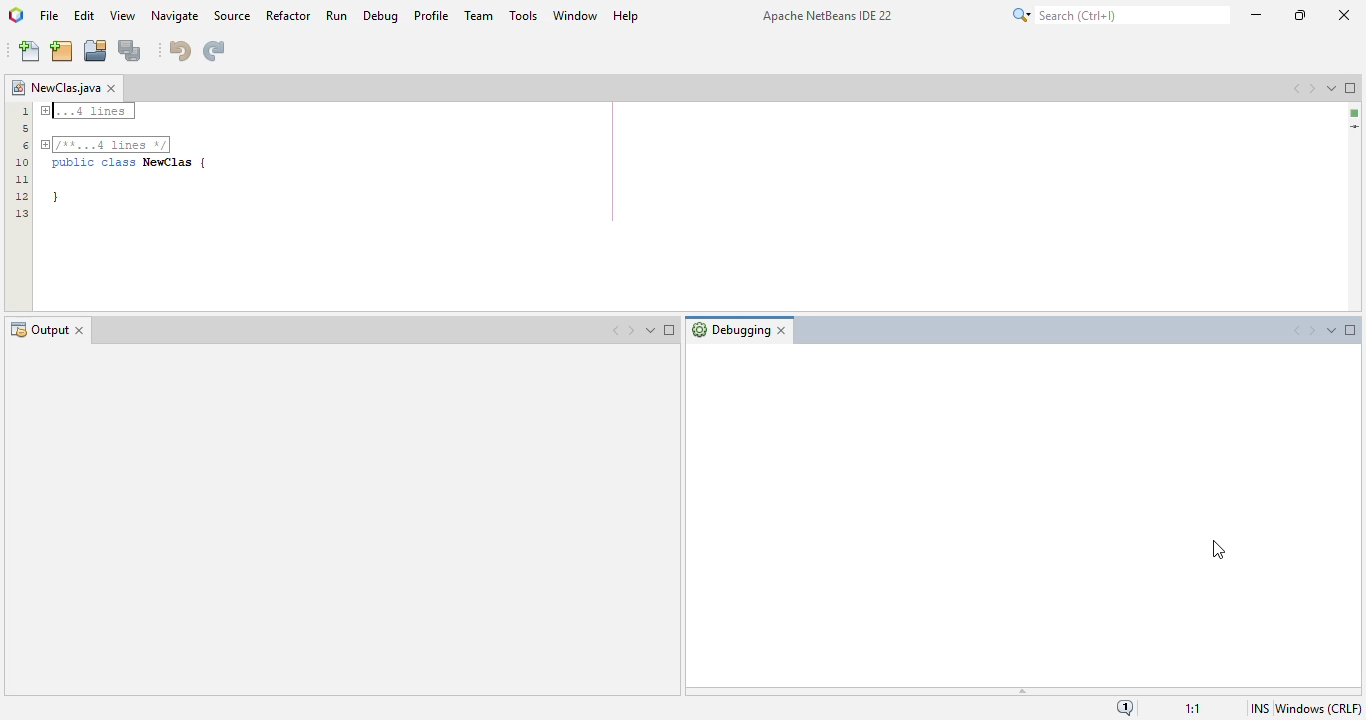 The width and height of the screenshot is (1366, 720). I want to click on navigate, so click(176, 16).